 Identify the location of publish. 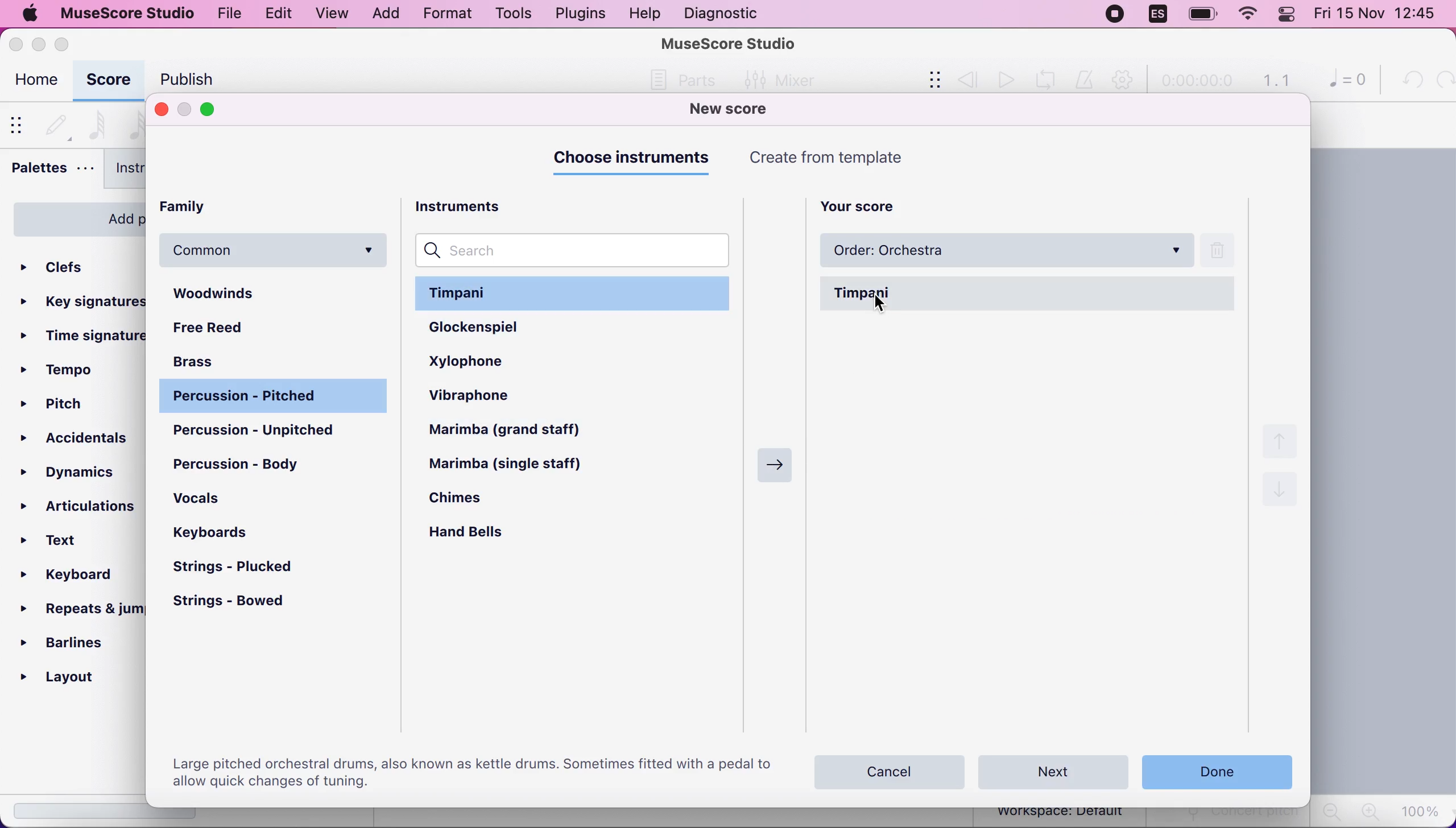
(184, 79).